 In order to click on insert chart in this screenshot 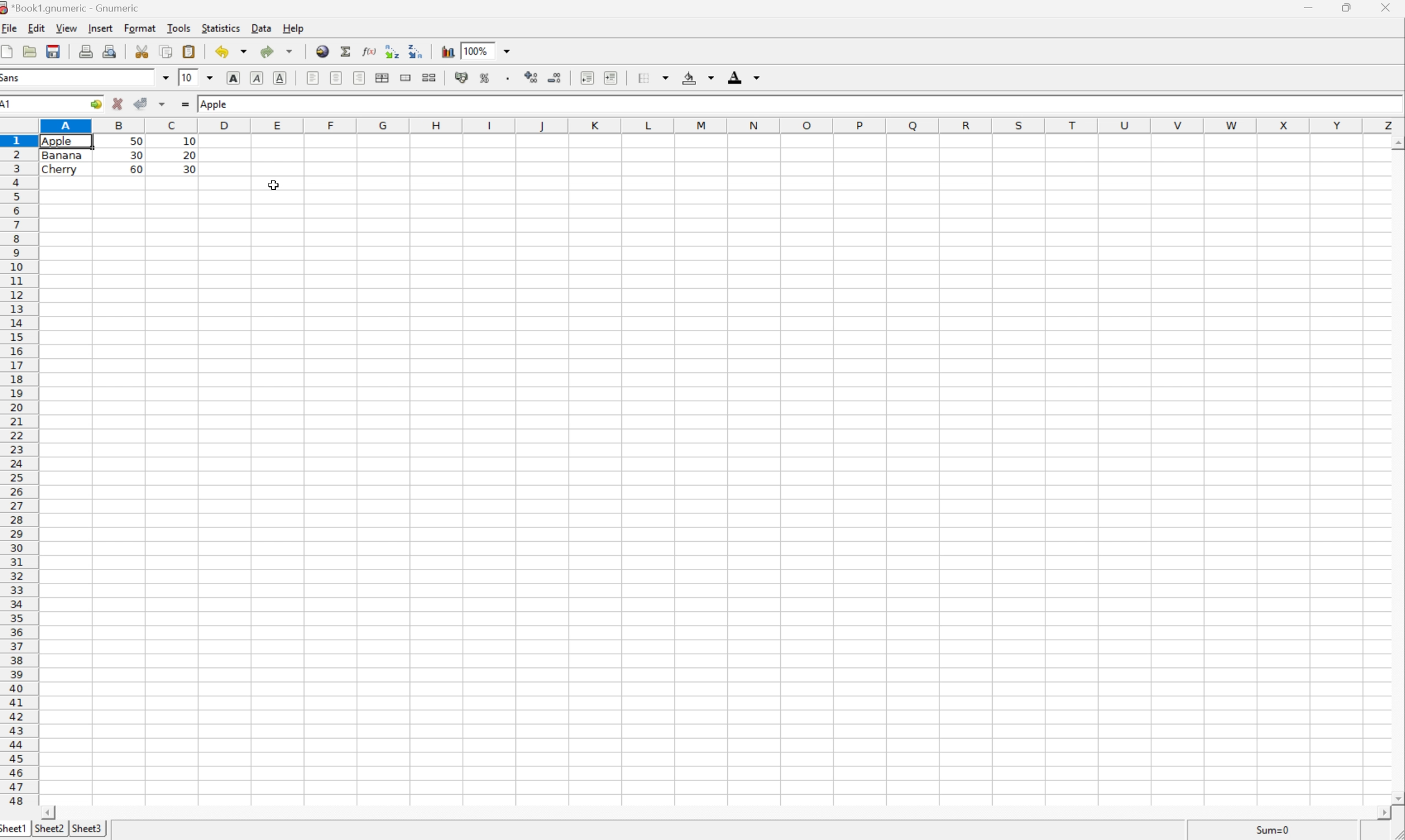, I will do `click(449, 50)`.